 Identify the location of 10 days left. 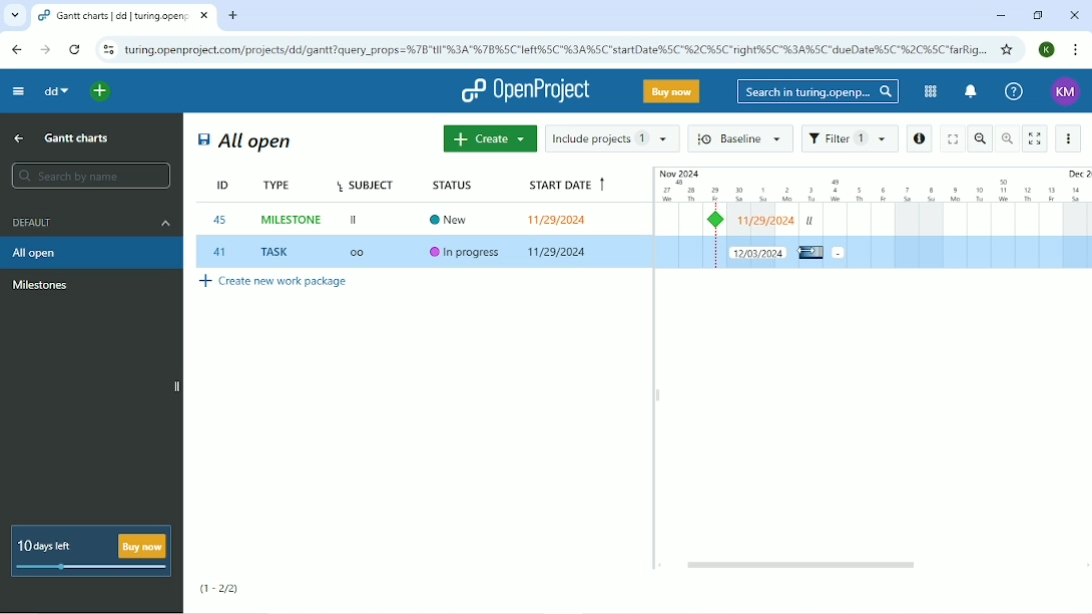
(89, 551).